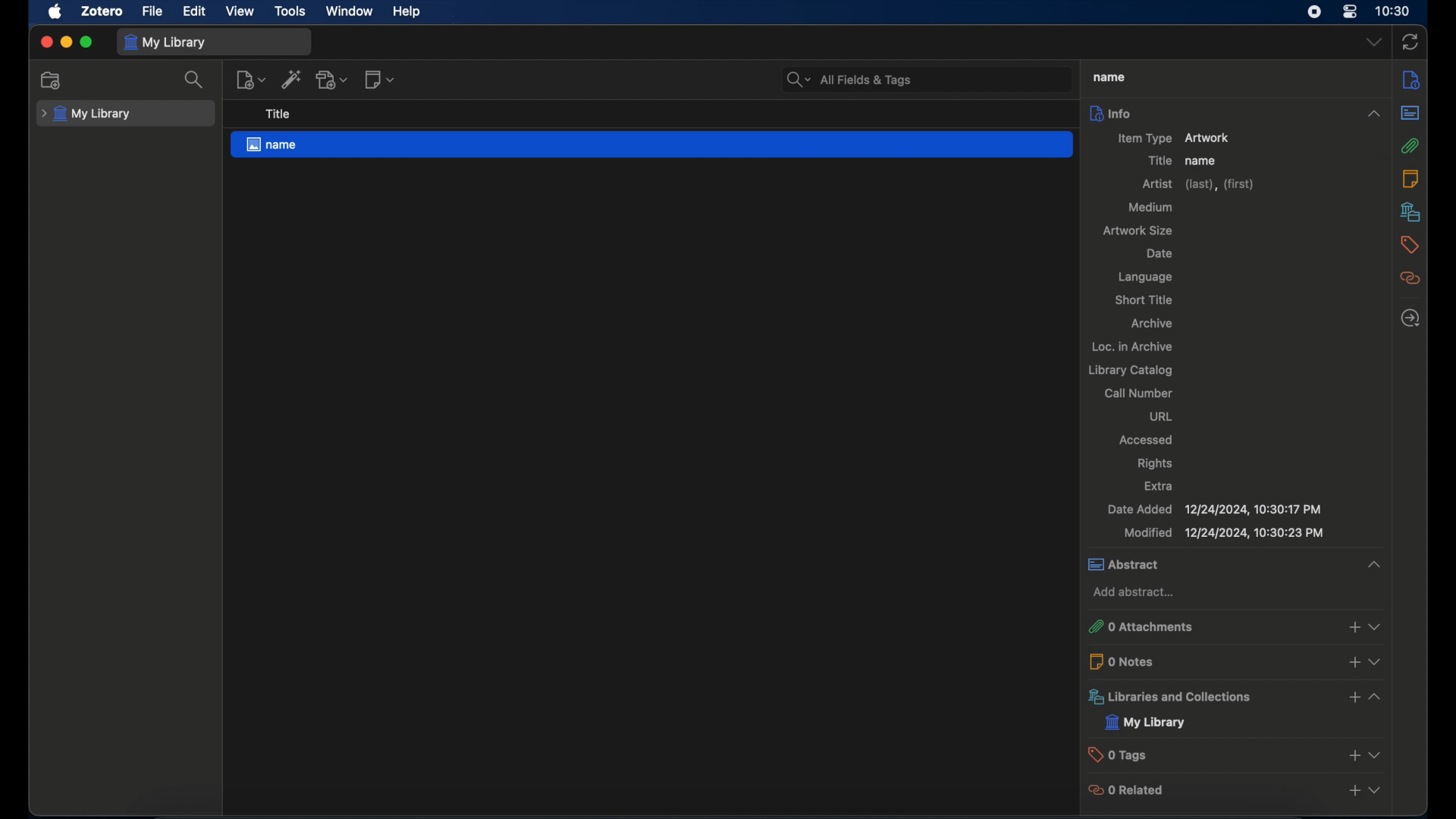 This screenshot has width=1456, height=819. I want to click on accessed, so click(1147, 439).